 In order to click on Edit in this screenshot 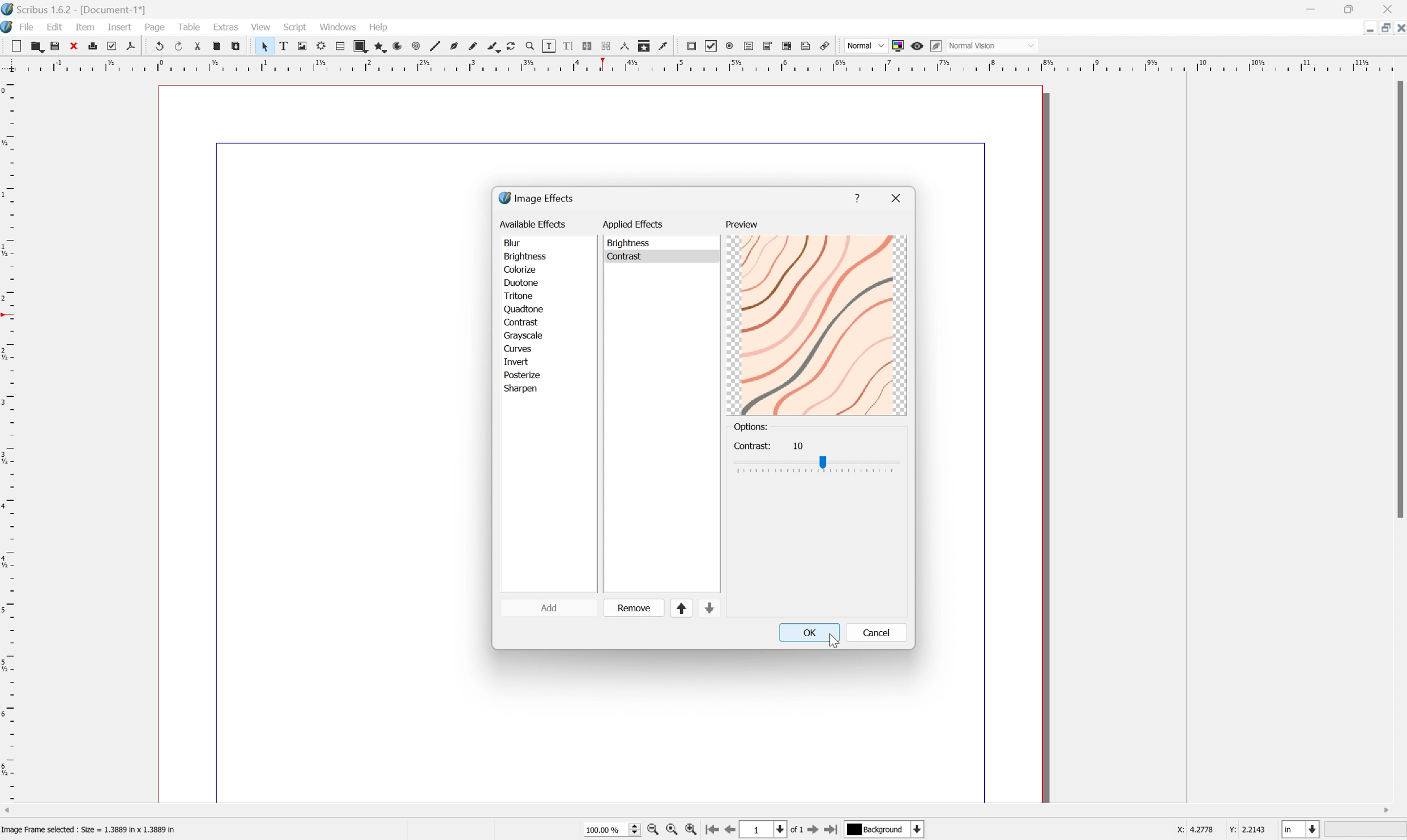, I will do `click(53, 27)`.